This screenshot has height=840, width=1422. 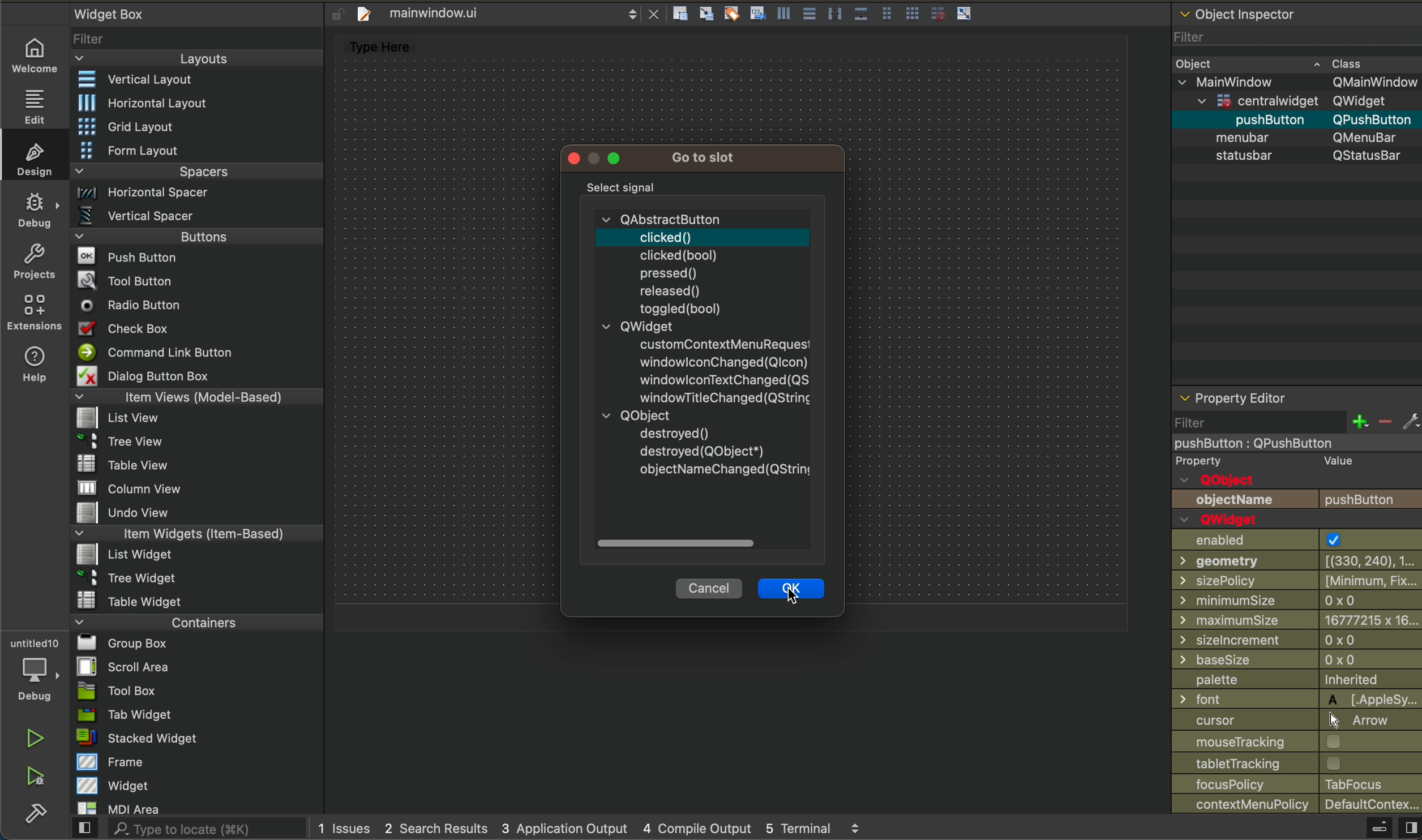 I want to click on close sidebar, so click(x=1385, y=828).